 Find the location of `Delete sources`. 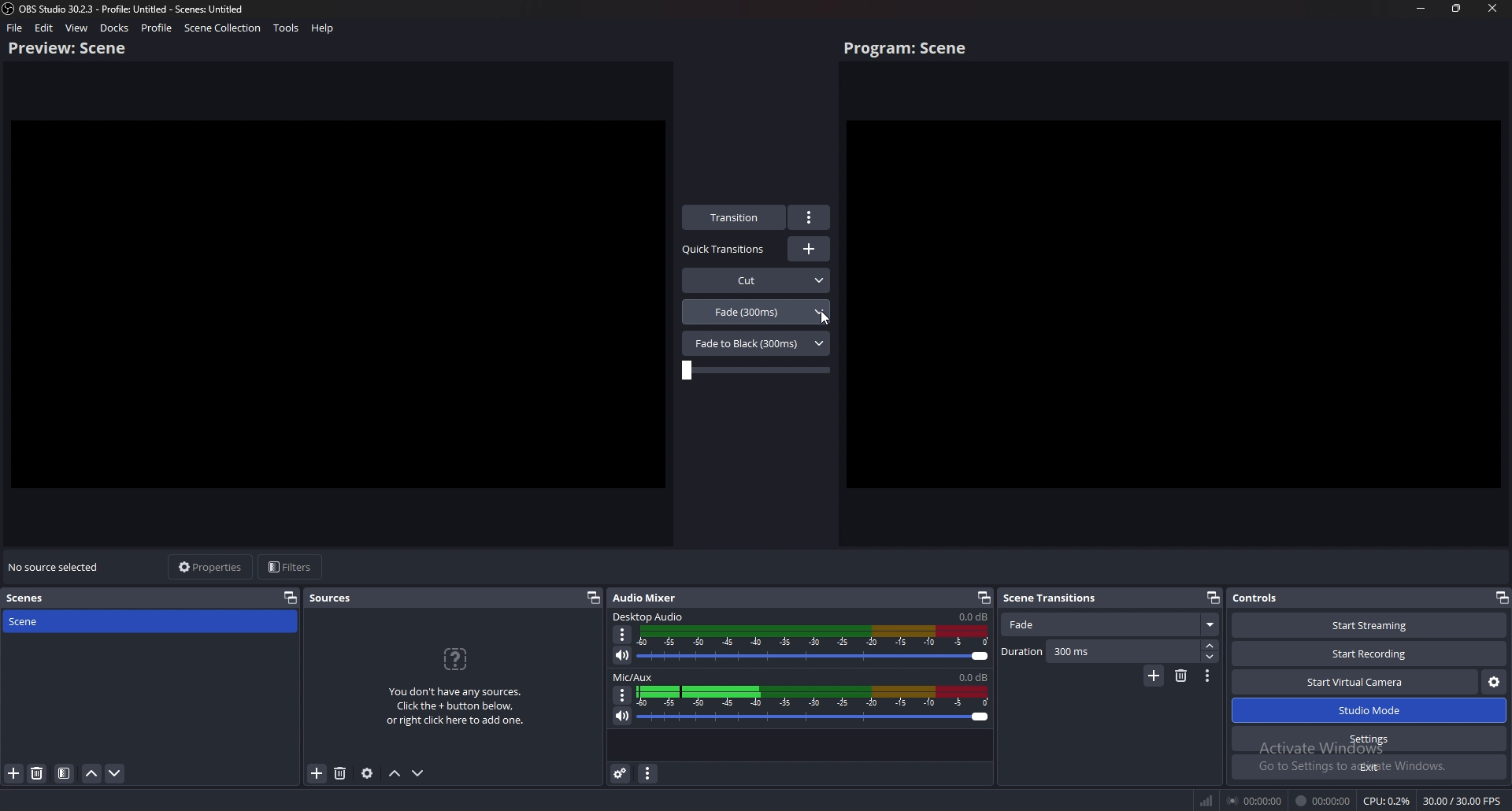

Delete sources is located at coordinates (339, 773).